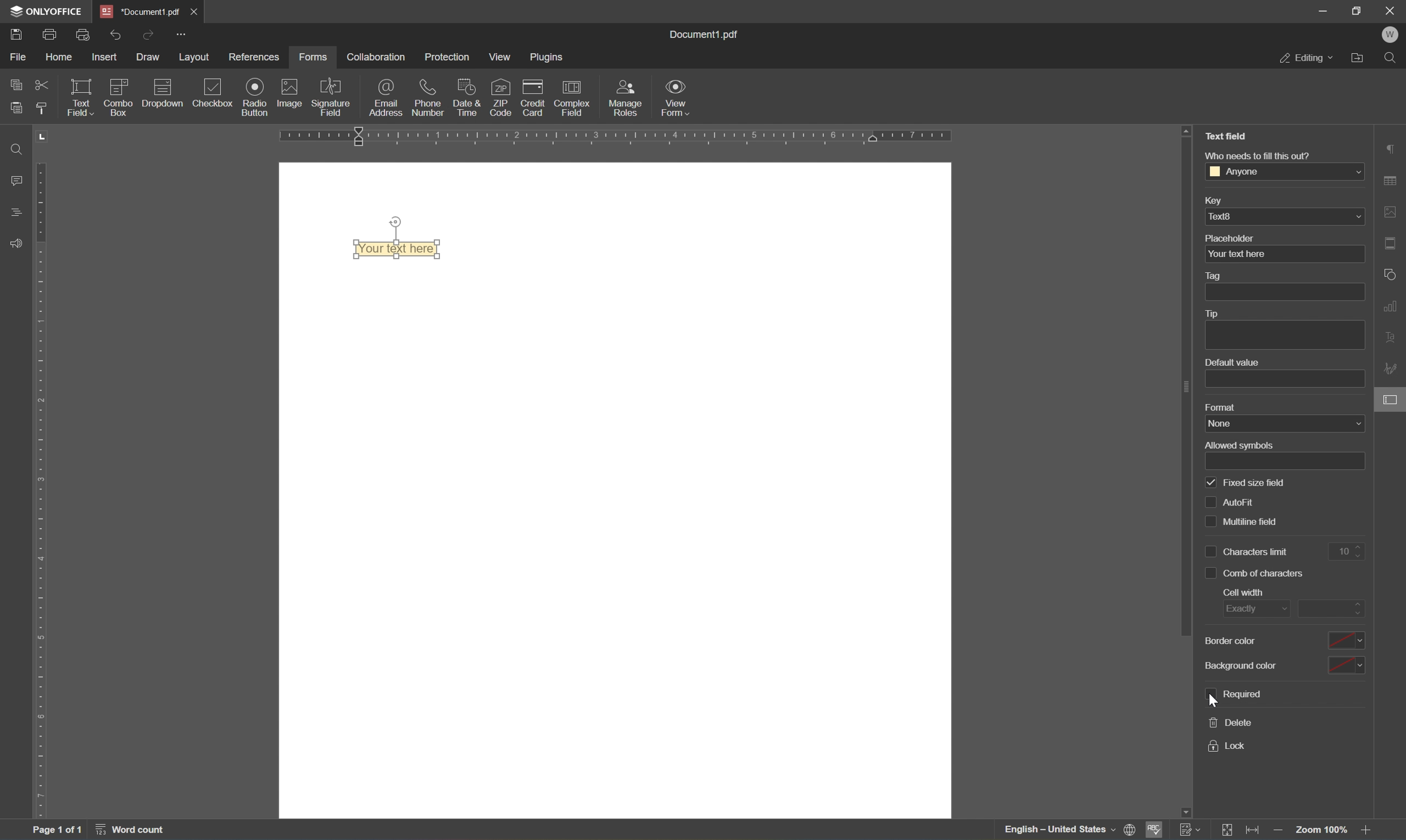 Image resolution: width=1406 pixels, height=840 pixels. What do you see at coordinates (610, 137) in the screenshot?
I see `ruler` at bounding box center [610, 137].